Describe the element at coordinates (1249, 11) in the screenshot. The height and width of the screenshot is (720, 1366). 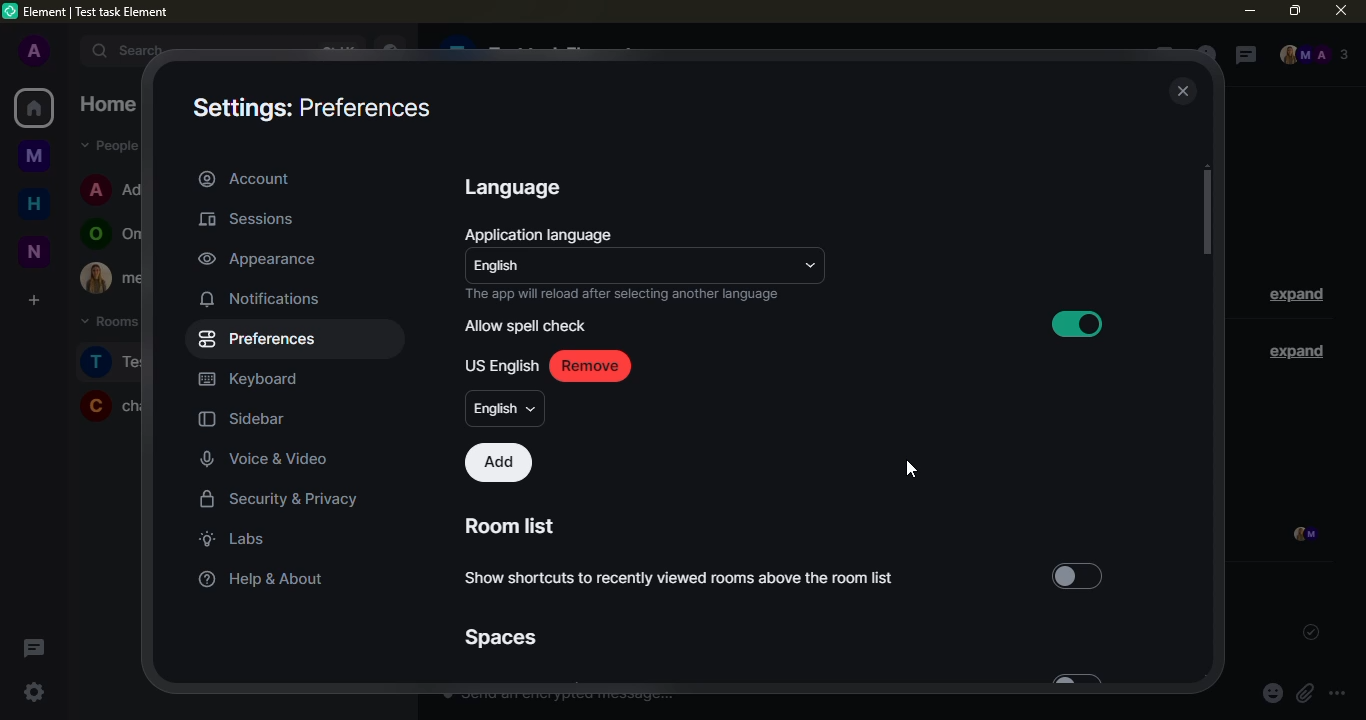
I see `minimize` at that location.